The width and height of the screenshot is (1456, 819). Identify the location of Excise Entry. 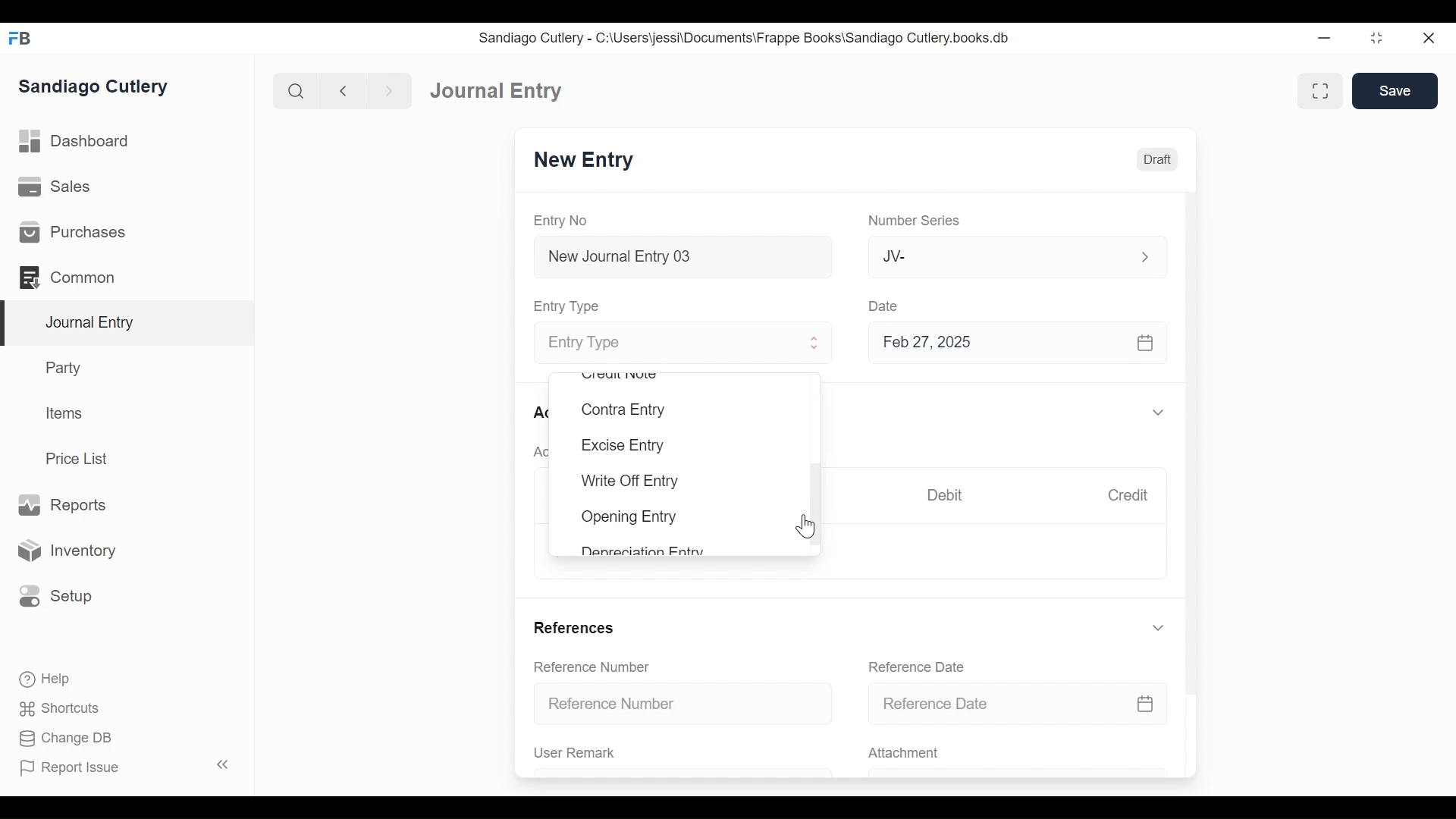
(624, 445).